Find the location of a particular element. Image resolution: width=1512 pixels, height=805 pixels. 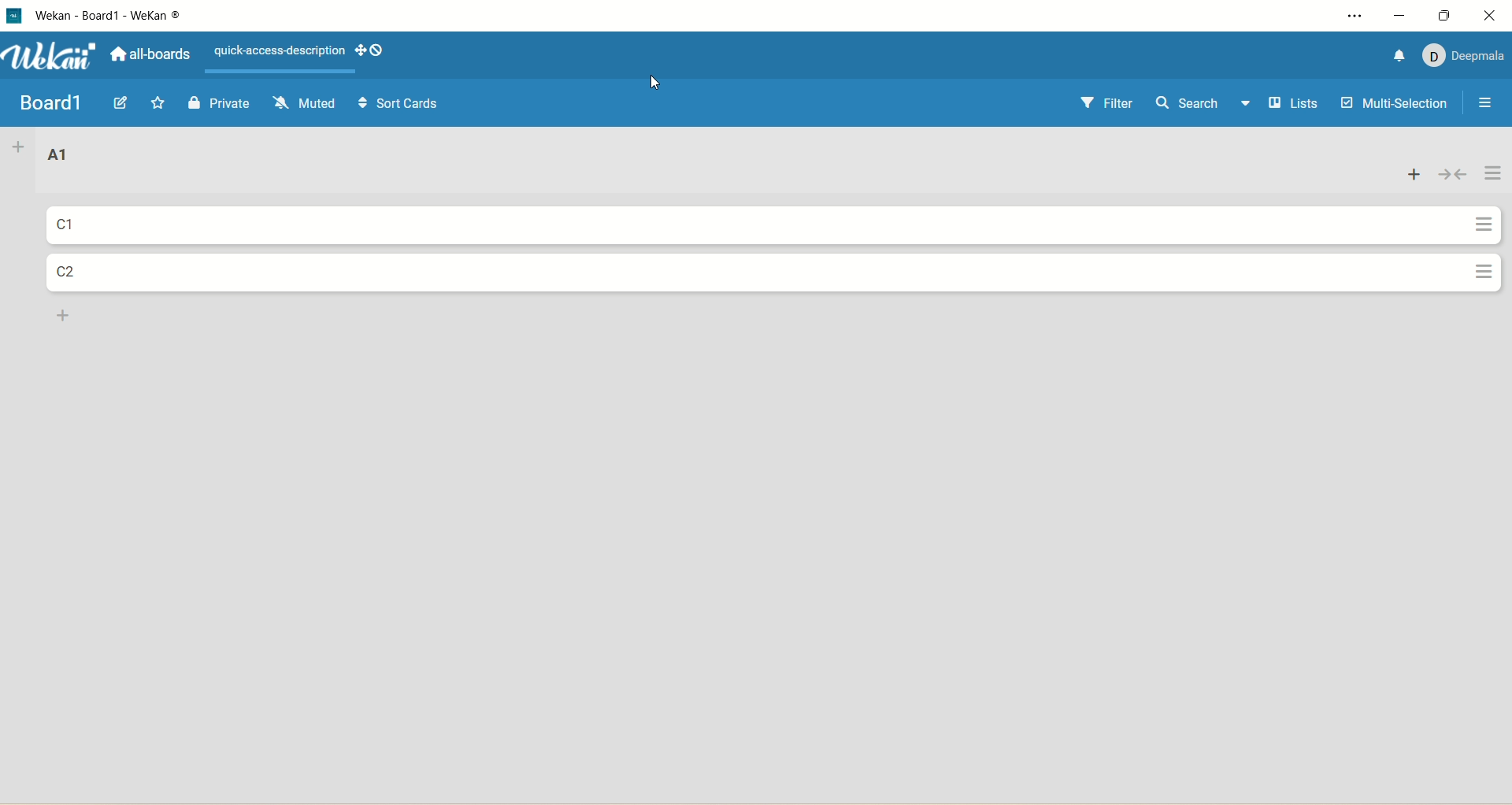

actions is located at coordinates (1492, 229).